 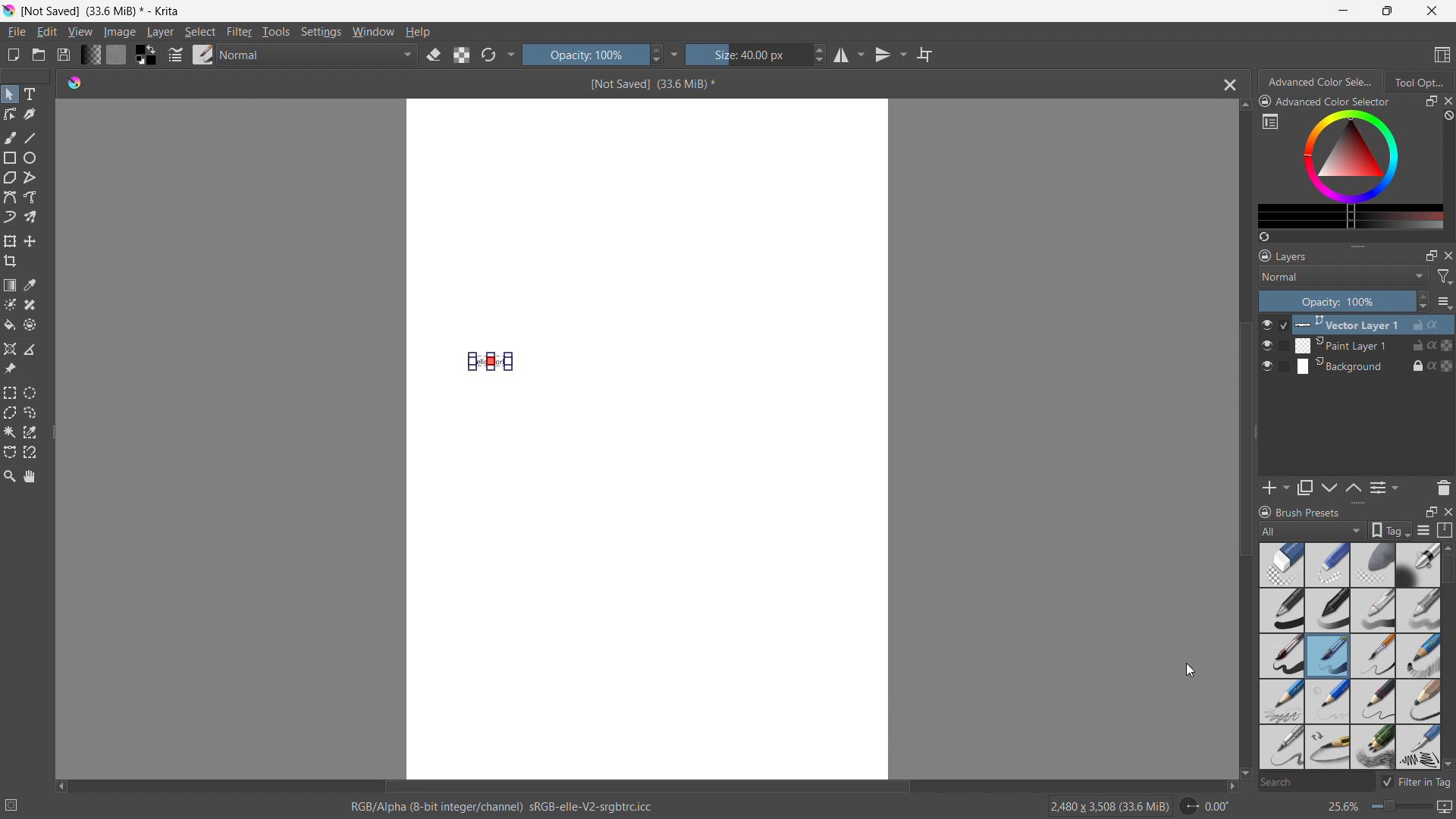 What do you see at coordinates (1447, 548) in the screenshot?
I see `scroll up` at bounding box center [1447, 548].